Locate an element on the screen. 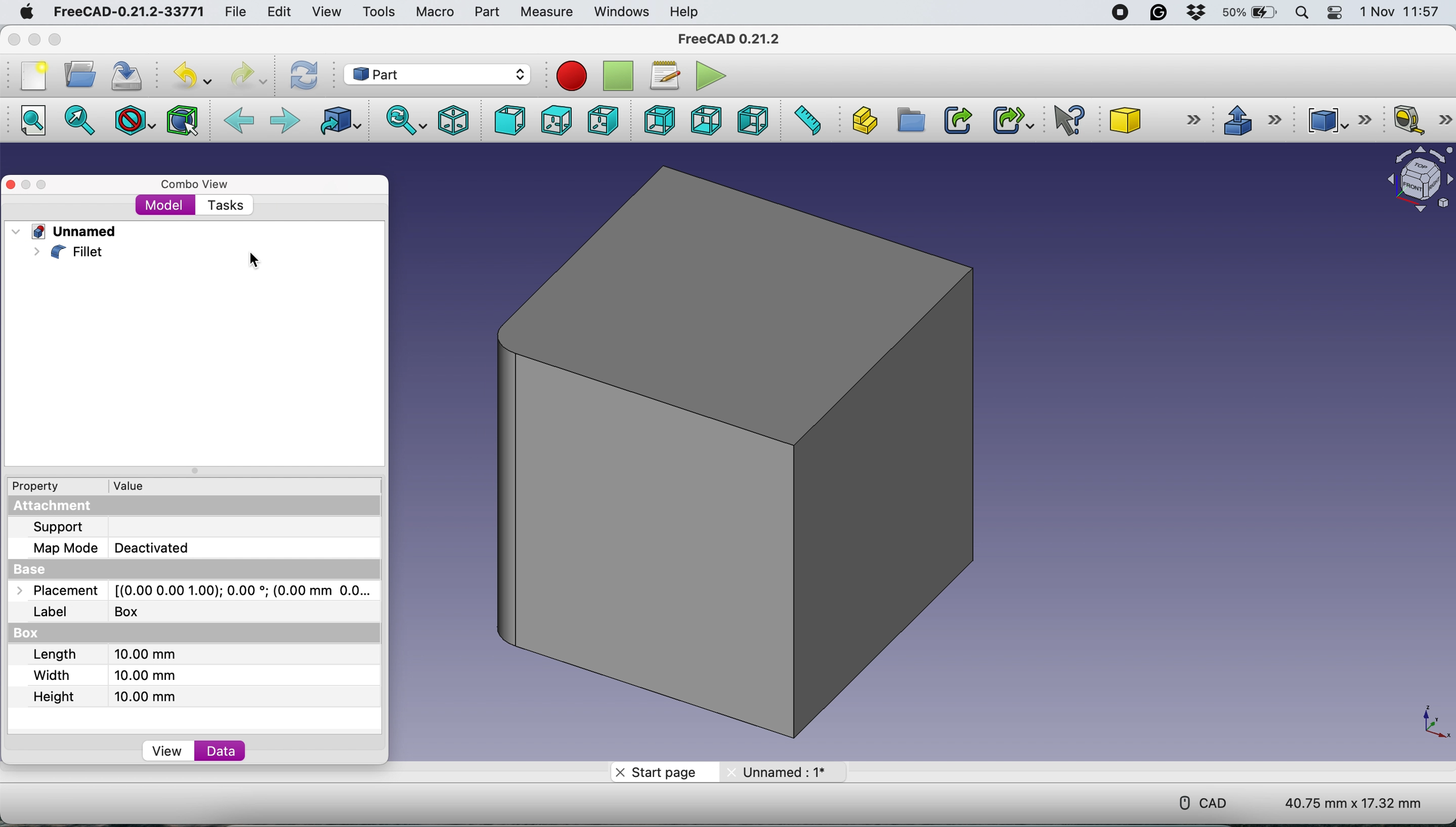 The height and width of the screenshot is (827, 1456). start page is located at coordinates (664, 771).